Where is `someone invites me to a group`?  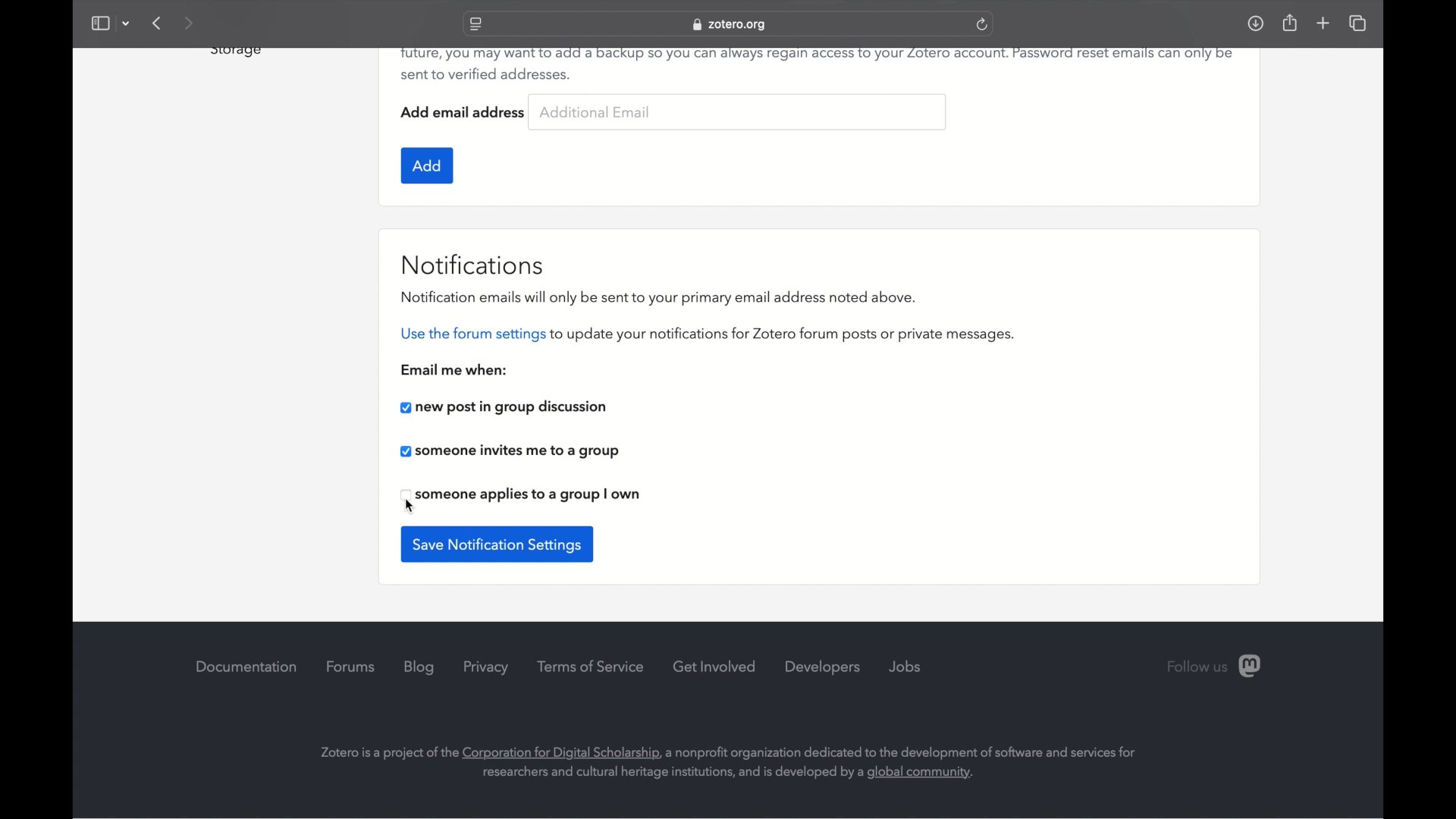 someone invites me to a group is located at coordinates (510, 452).